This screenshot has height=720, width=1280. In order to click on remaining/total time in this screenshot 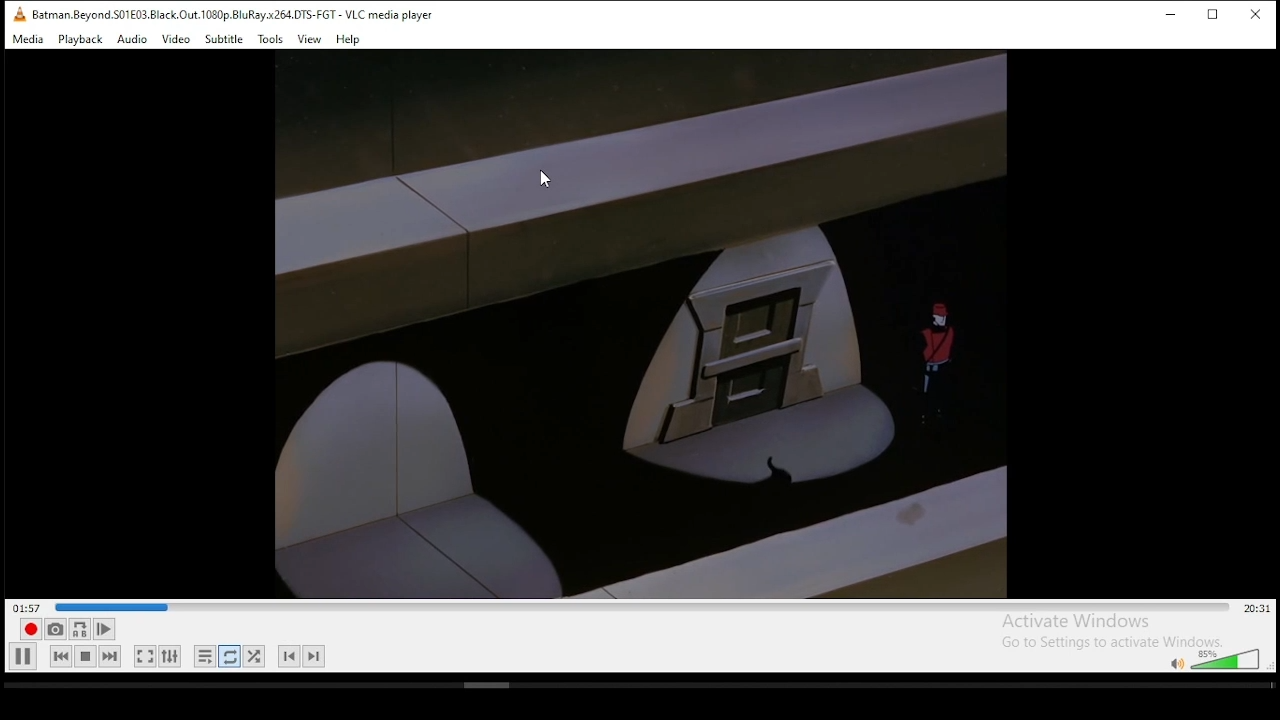, I will do `click(1256, 608)`.